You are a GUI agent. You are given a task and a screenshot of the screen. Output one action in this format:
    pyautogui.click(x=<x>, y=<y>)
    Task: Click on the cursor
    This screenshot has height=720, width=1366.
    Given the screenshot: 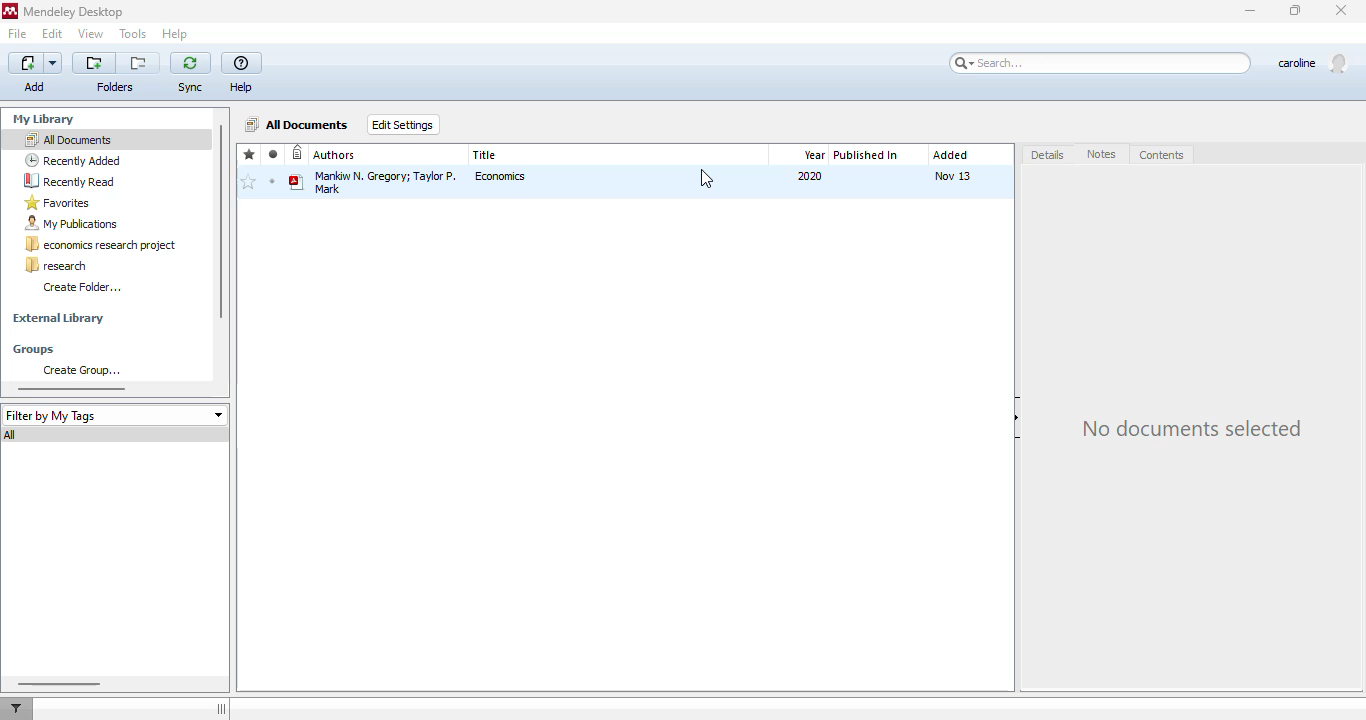 What is the action you would take?
    pyautogui.click(x=706, y=179)
    